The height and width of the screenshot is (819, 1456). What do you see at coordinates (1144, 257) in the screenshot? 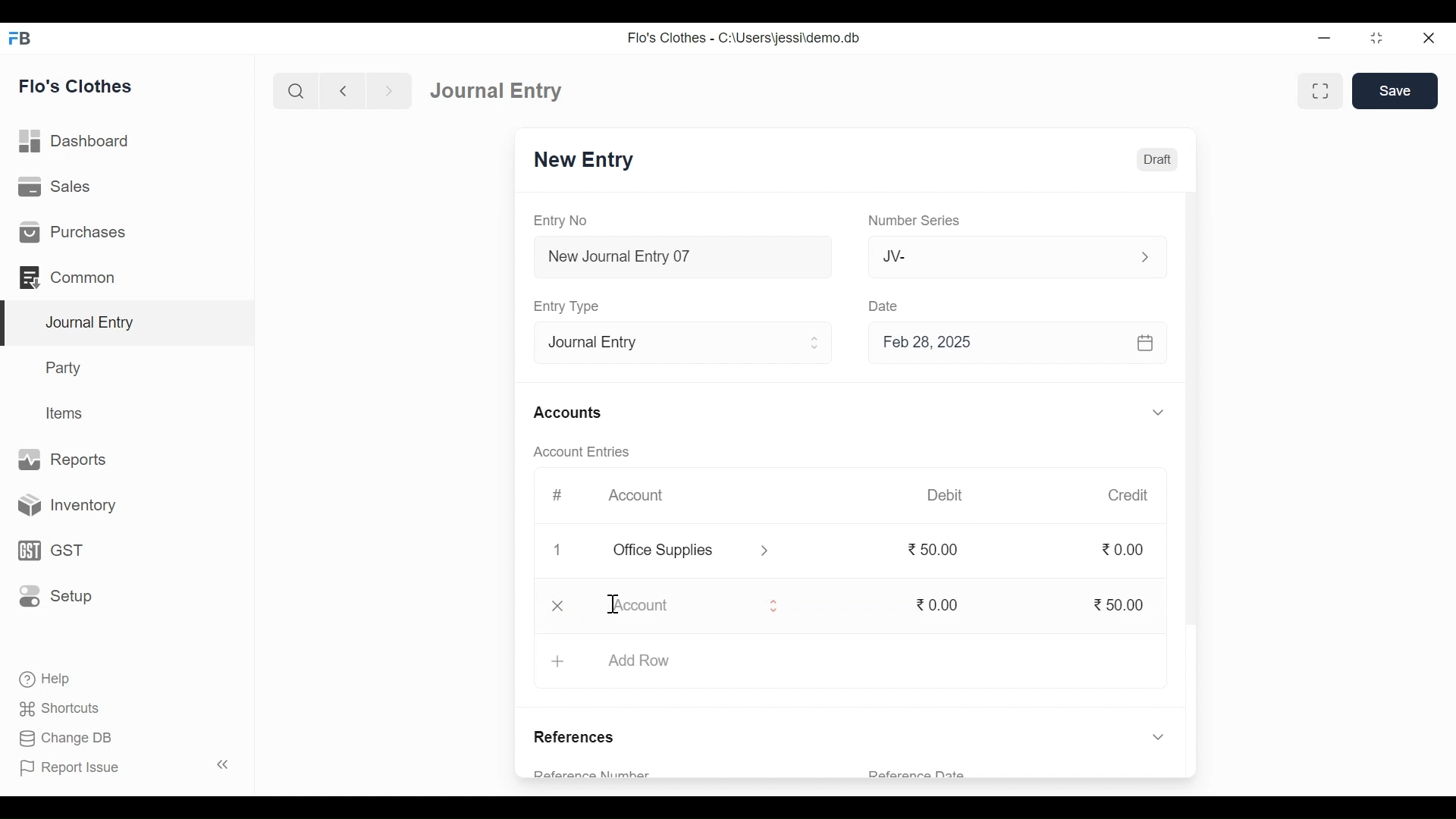
I see `Expand` at bounding box center [1144, 257].